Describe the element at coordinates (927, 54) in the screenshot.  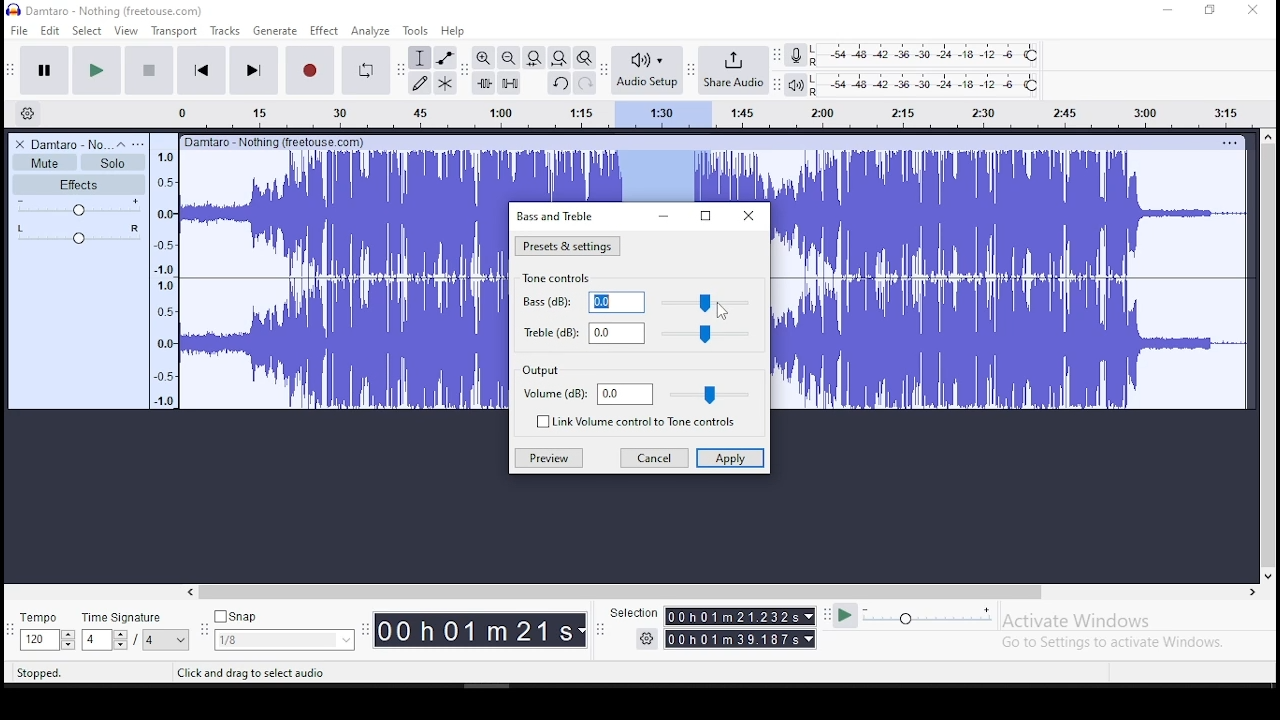
I see `recording level` at that location.